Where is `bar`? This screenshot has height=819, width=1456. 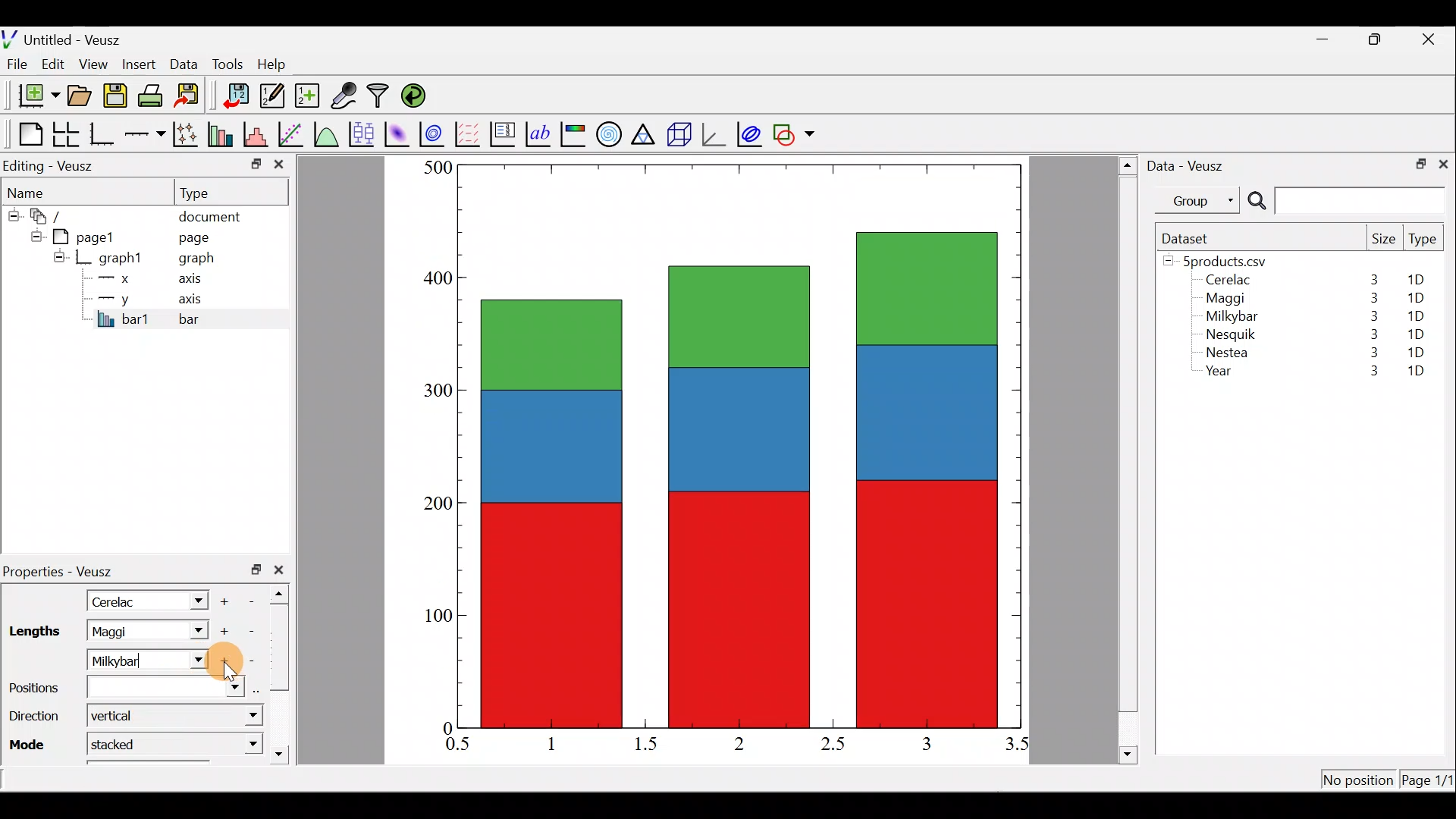 bar is located at coordinates (214, 318).